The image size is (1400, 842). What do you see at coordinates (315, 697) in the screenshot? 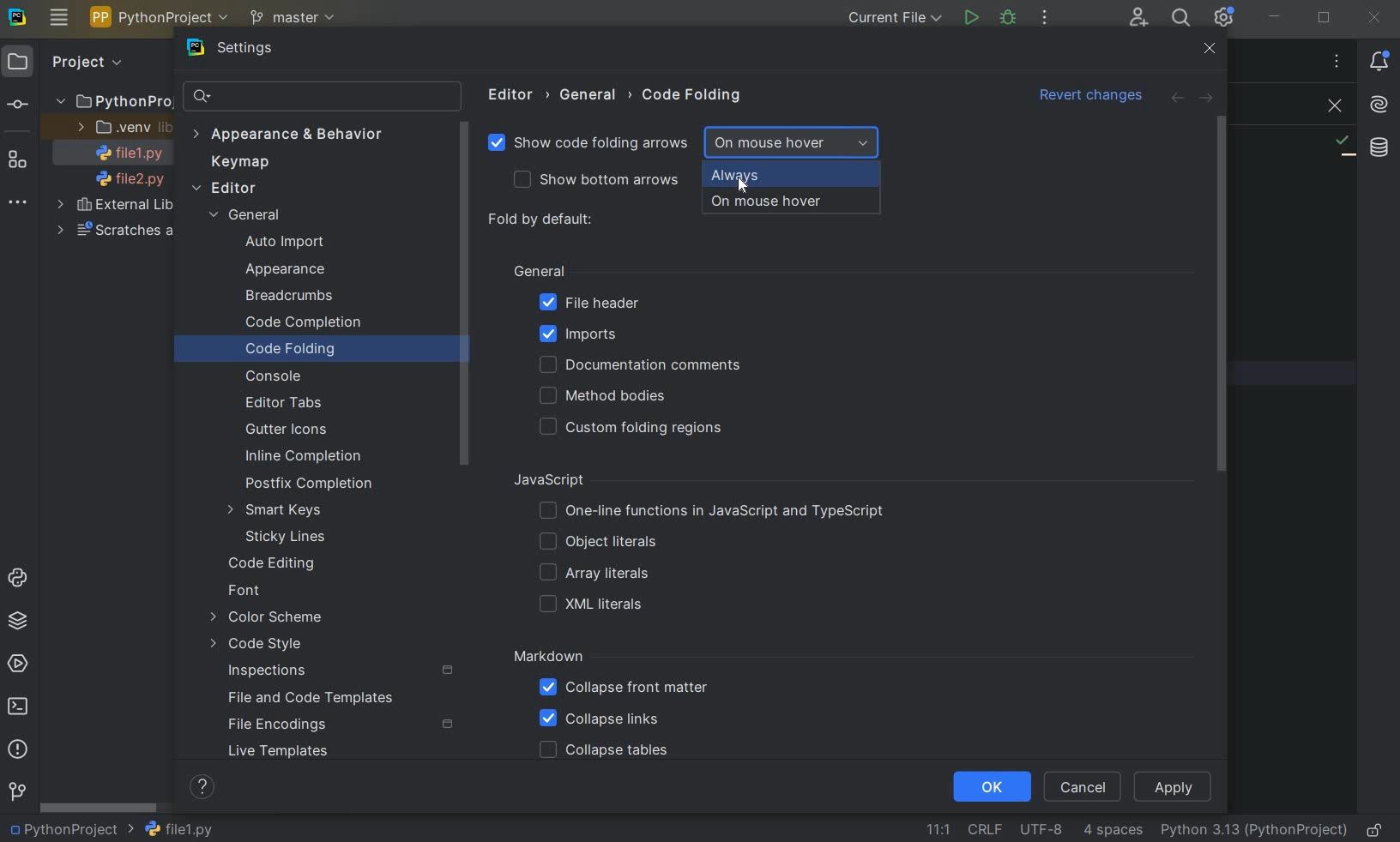
I see `FILE AND CODE TEMPLATES` at bounding box center [315, 697].